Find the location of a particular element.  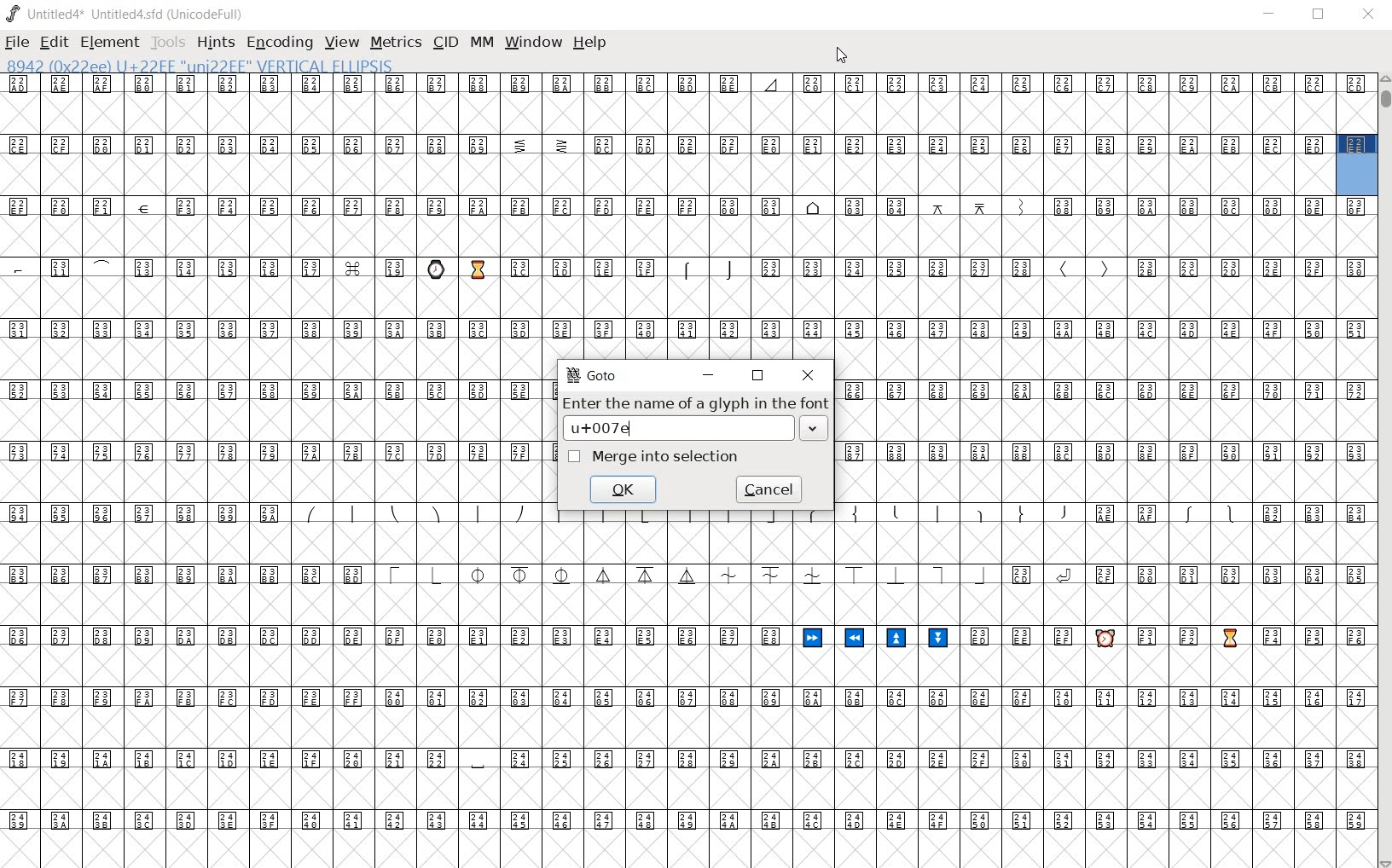

Merge into selection is located at coordinates (654, 456).